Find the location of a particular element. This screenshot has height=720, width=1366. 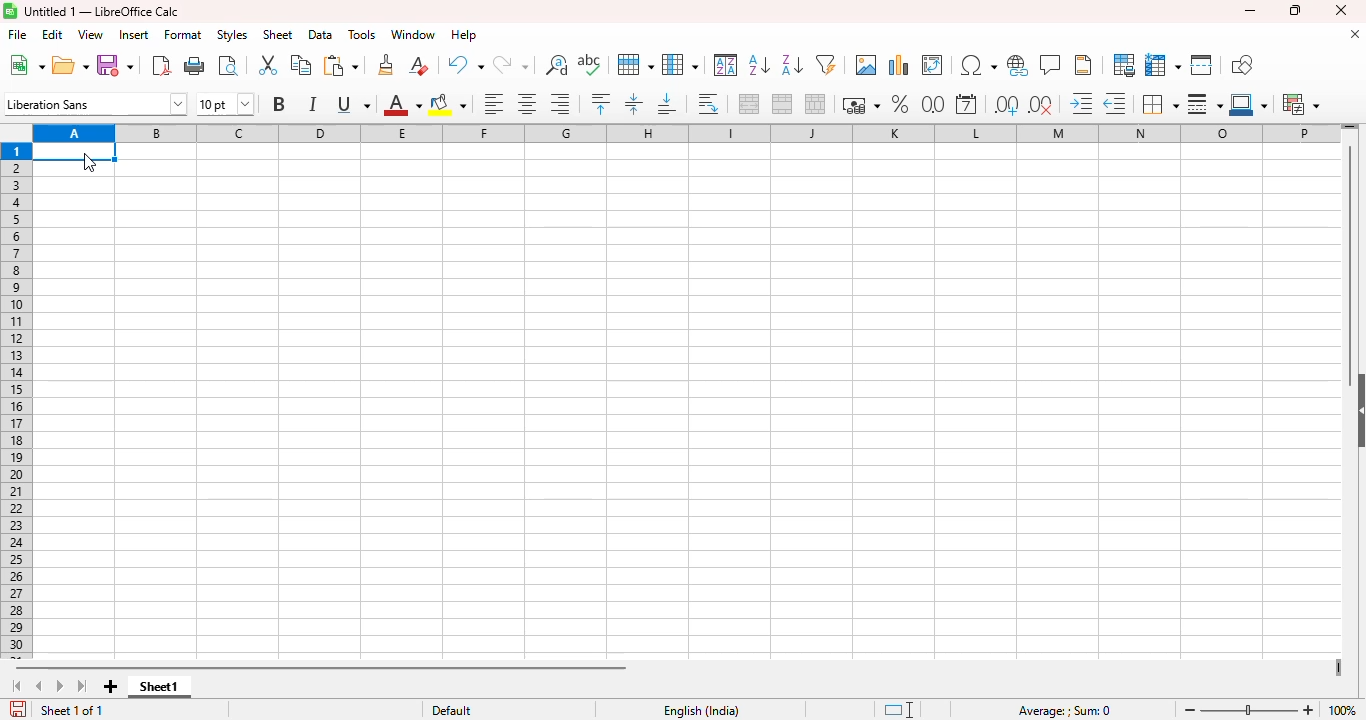

maximize is located at coordinates (1293, 11).